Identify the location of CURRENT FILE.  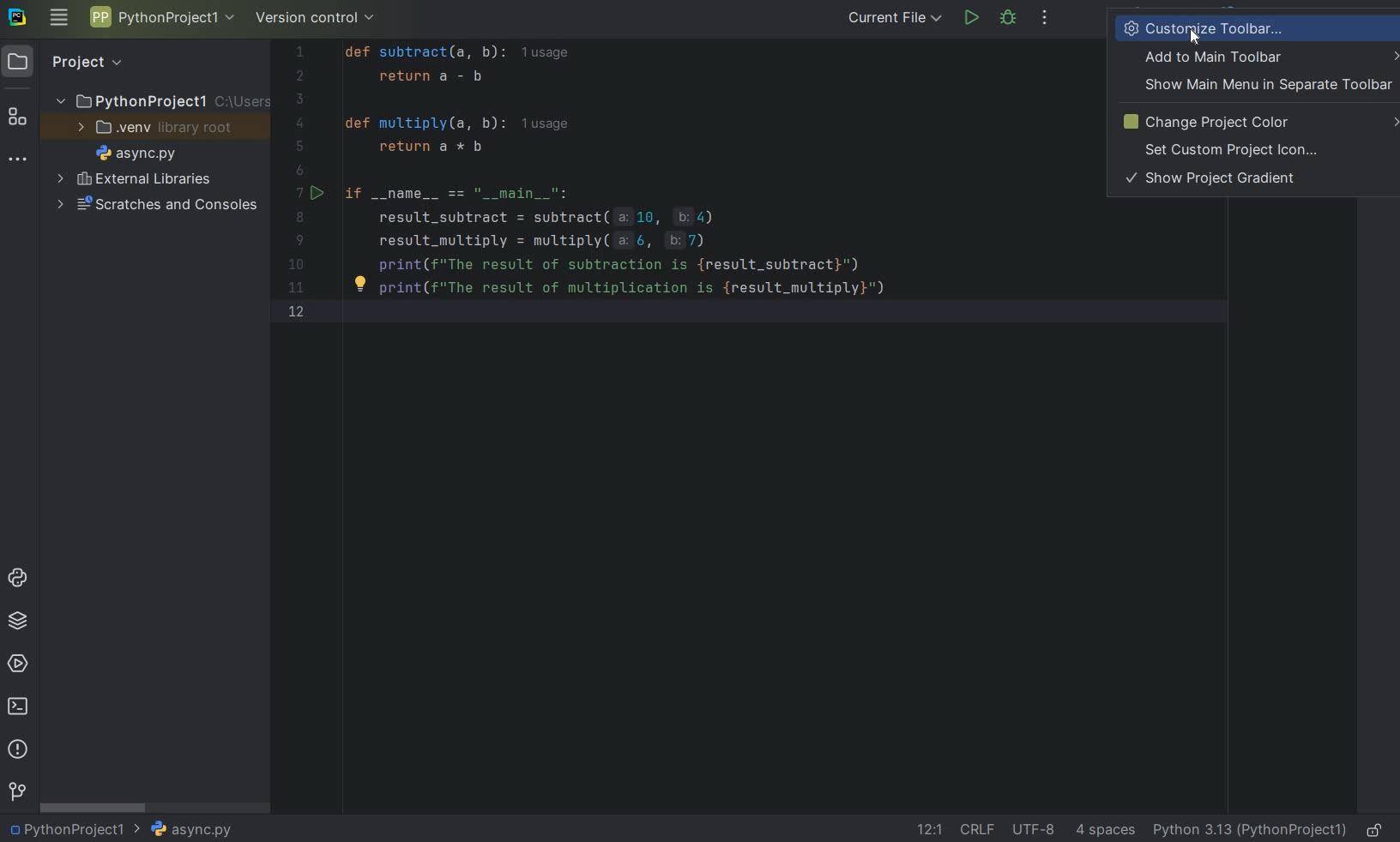
(895, 17).